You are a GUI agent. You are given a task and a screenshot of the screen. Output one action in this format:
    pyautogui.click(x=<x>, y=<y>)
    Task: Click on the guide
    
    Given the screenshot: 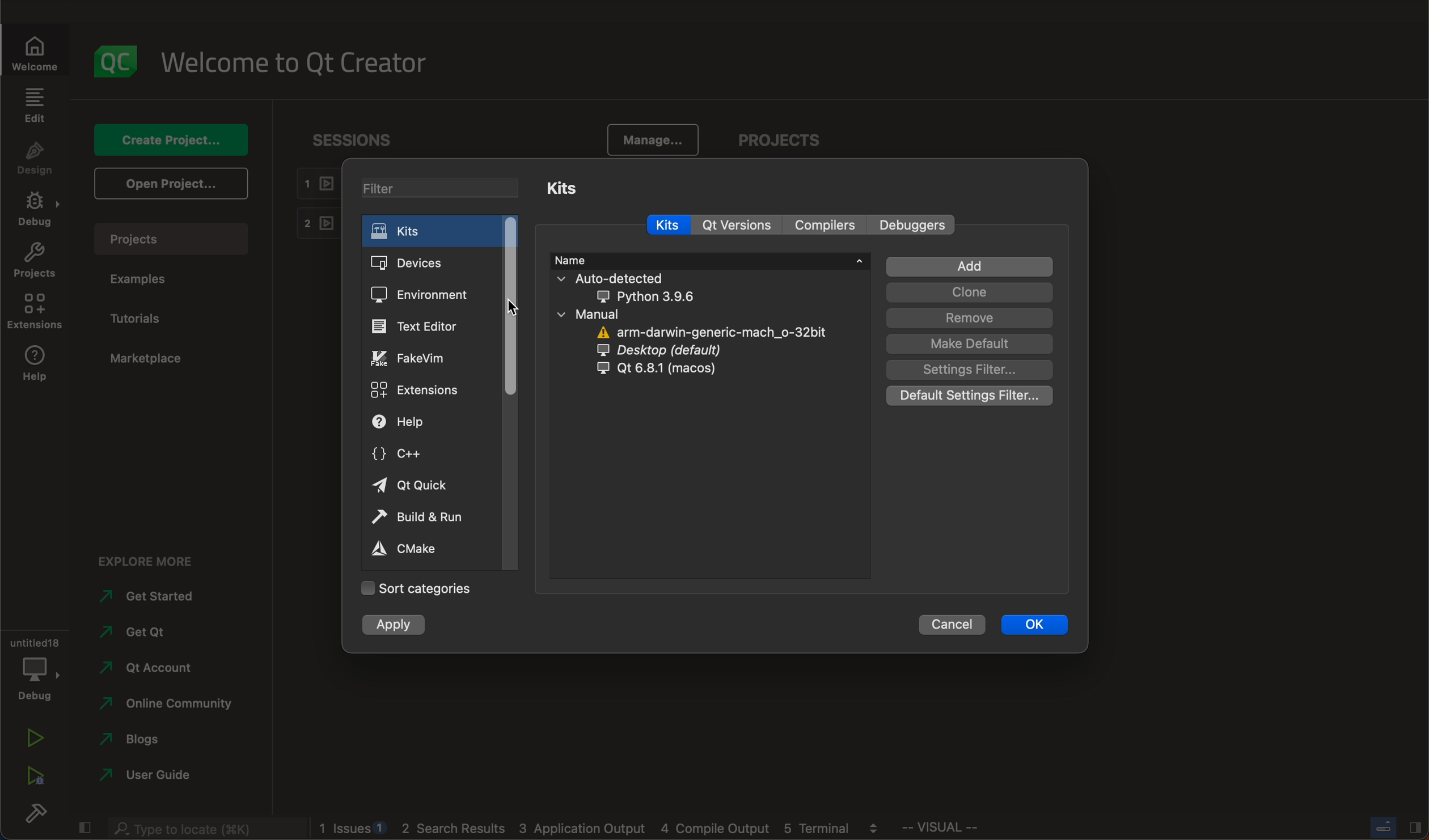 What is the action you would take?
    pyautogui.click(x=151, y=773)
    